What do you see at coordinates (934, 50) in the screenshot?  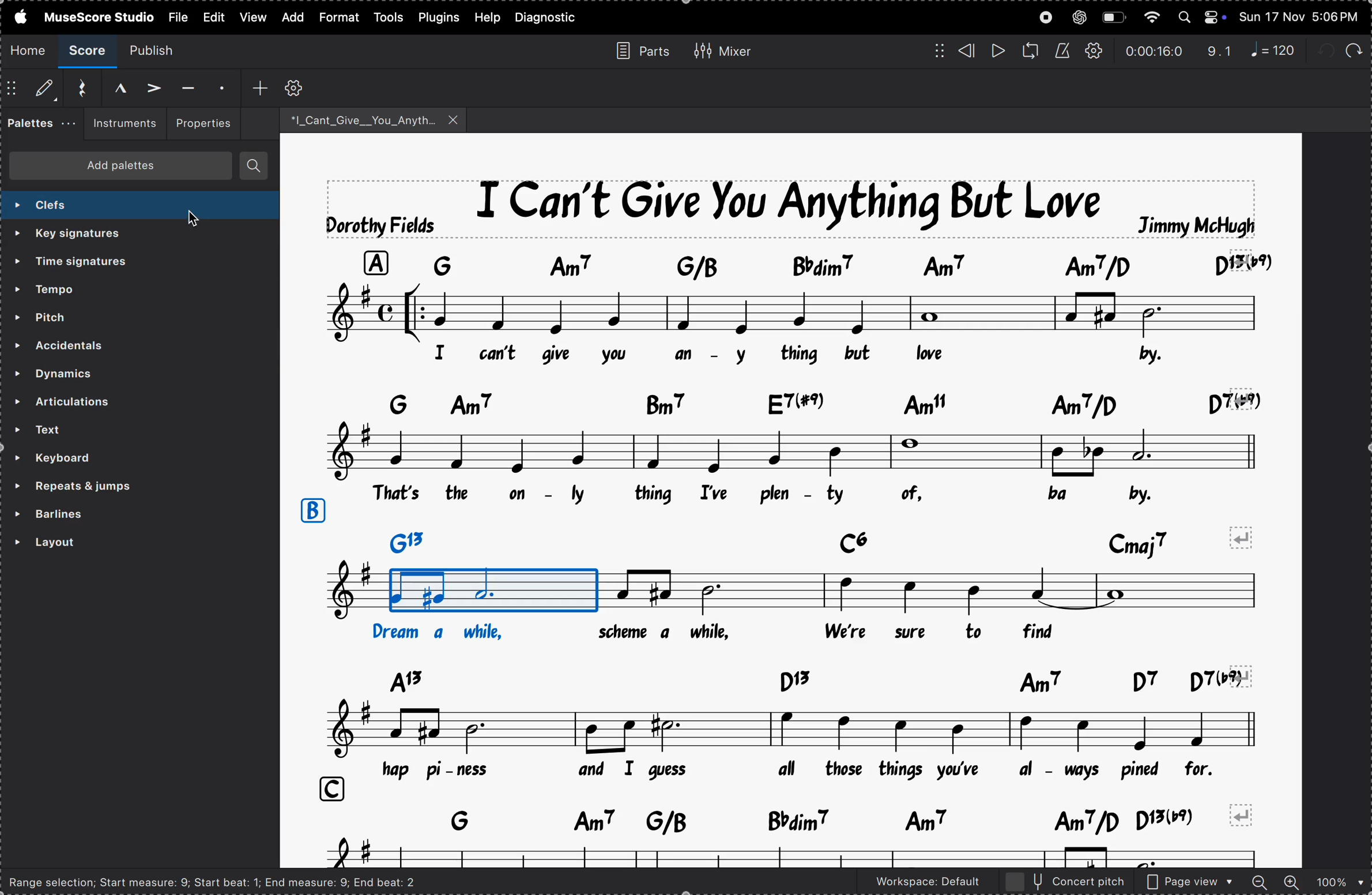 I see `matrix` at bounding box center [934, 50].